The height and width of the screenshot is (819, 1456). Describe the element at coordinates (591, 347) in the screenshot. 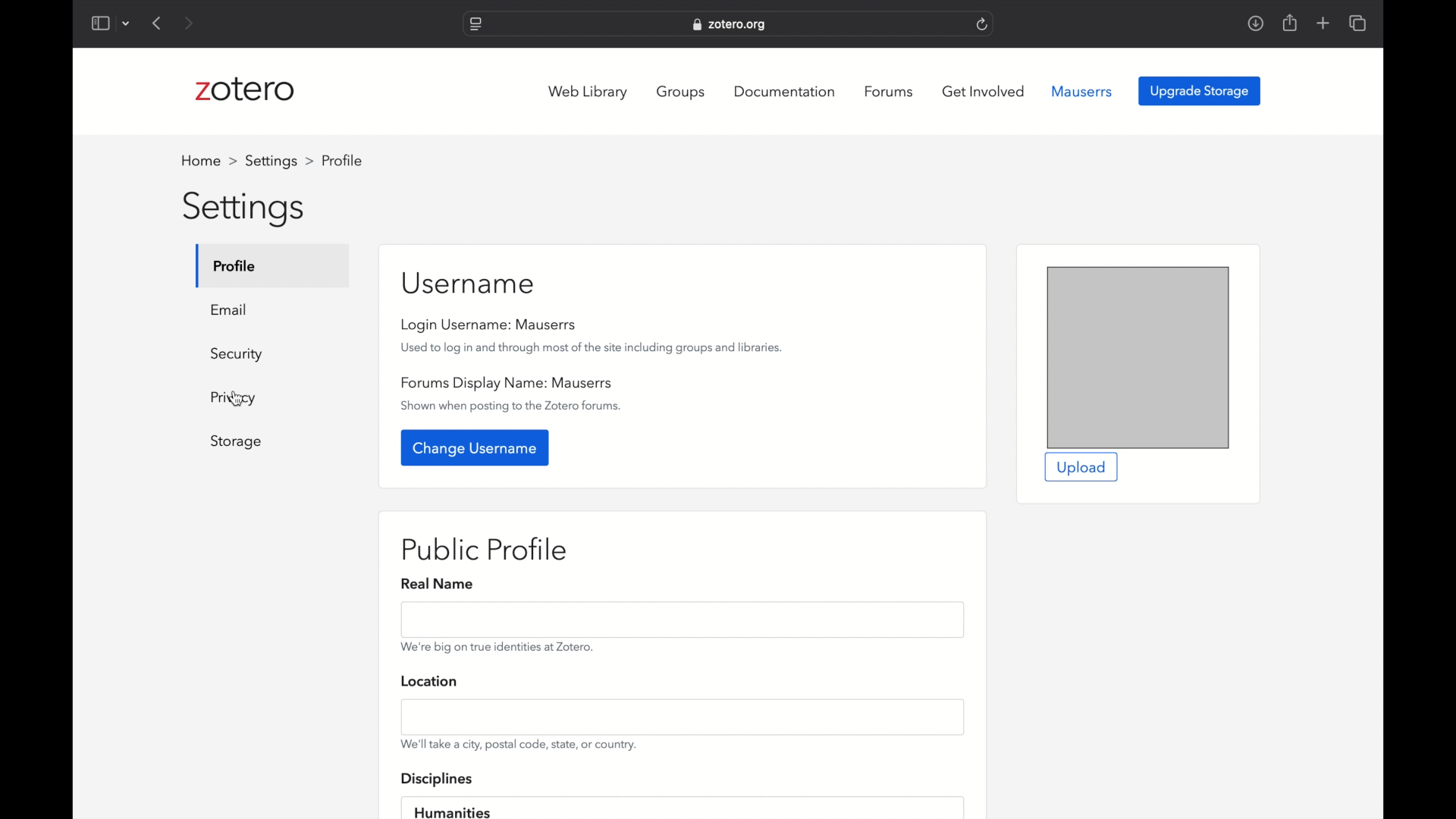

I see `used to log in and through most of the site including groups and libraries` at that location.